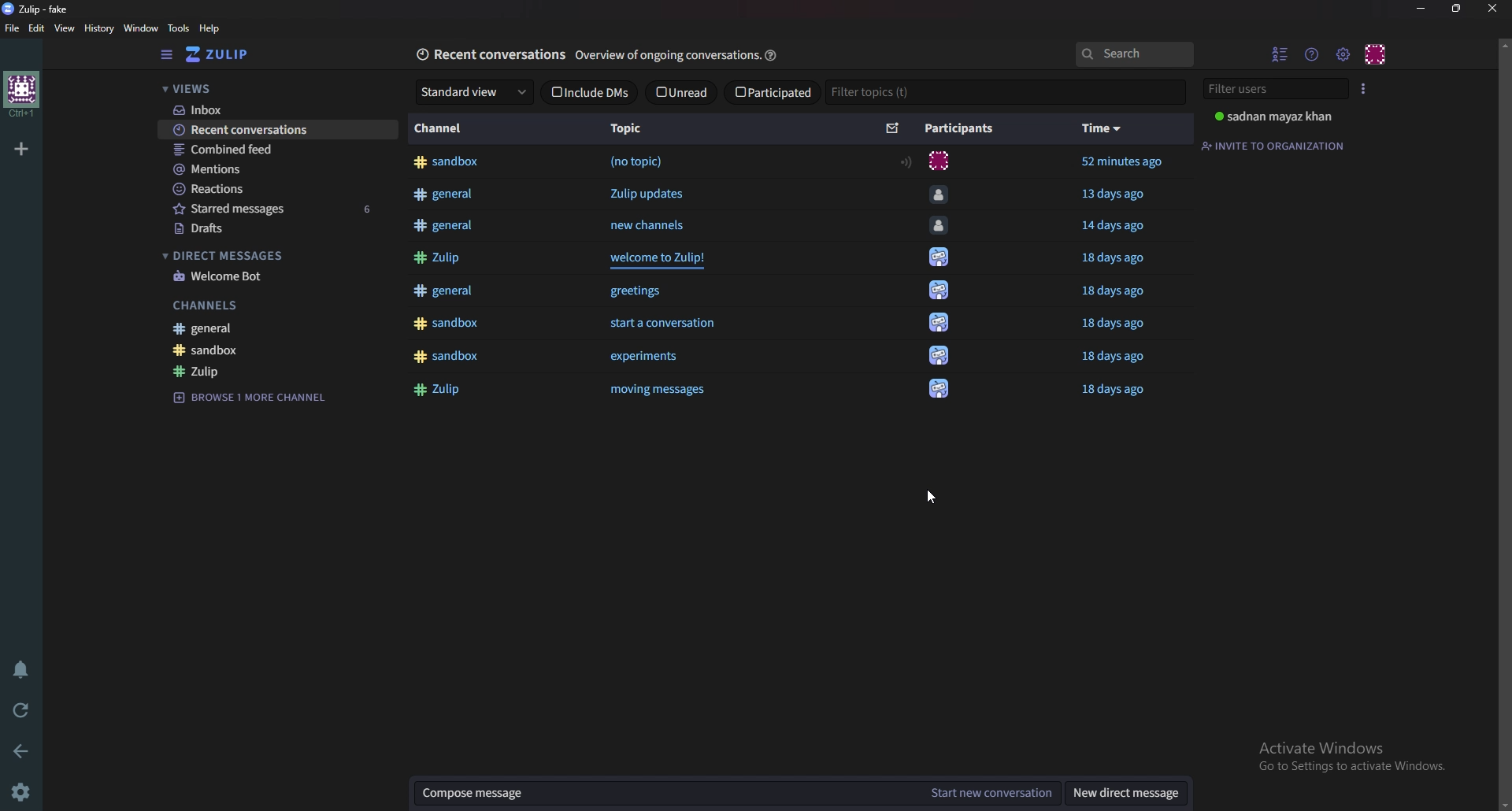 The image size is (1512, 811). Describe the element at coordinates (937, 192) in the screenshot. I see `icon` at that location.